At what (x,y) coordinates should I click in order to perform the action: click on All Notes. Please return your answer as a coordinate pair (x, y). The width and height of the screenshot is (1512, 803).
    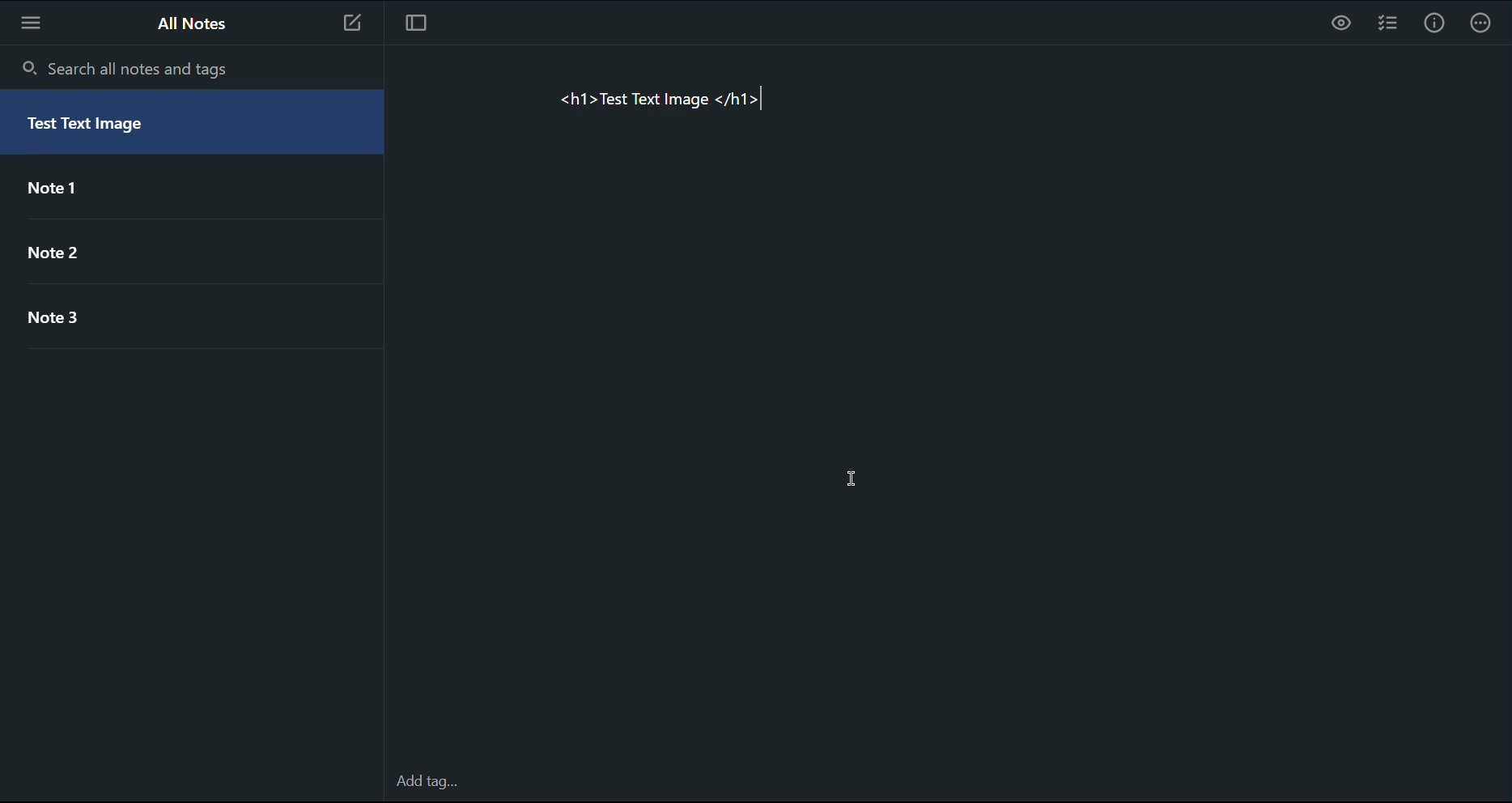
    Looking at the image, I should click on (189, 23).